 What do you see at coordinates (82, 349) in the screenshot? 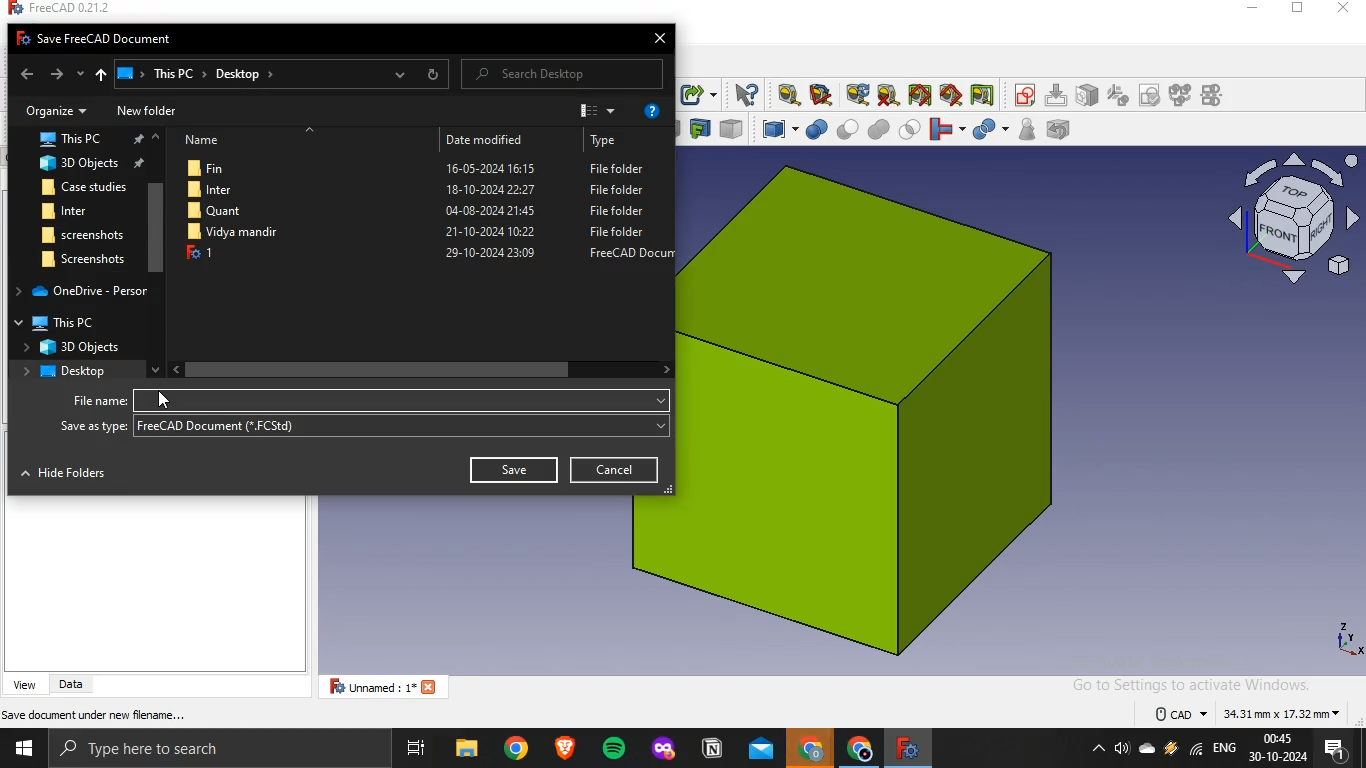
I see `3d objects` at bounding box center [82, 349].